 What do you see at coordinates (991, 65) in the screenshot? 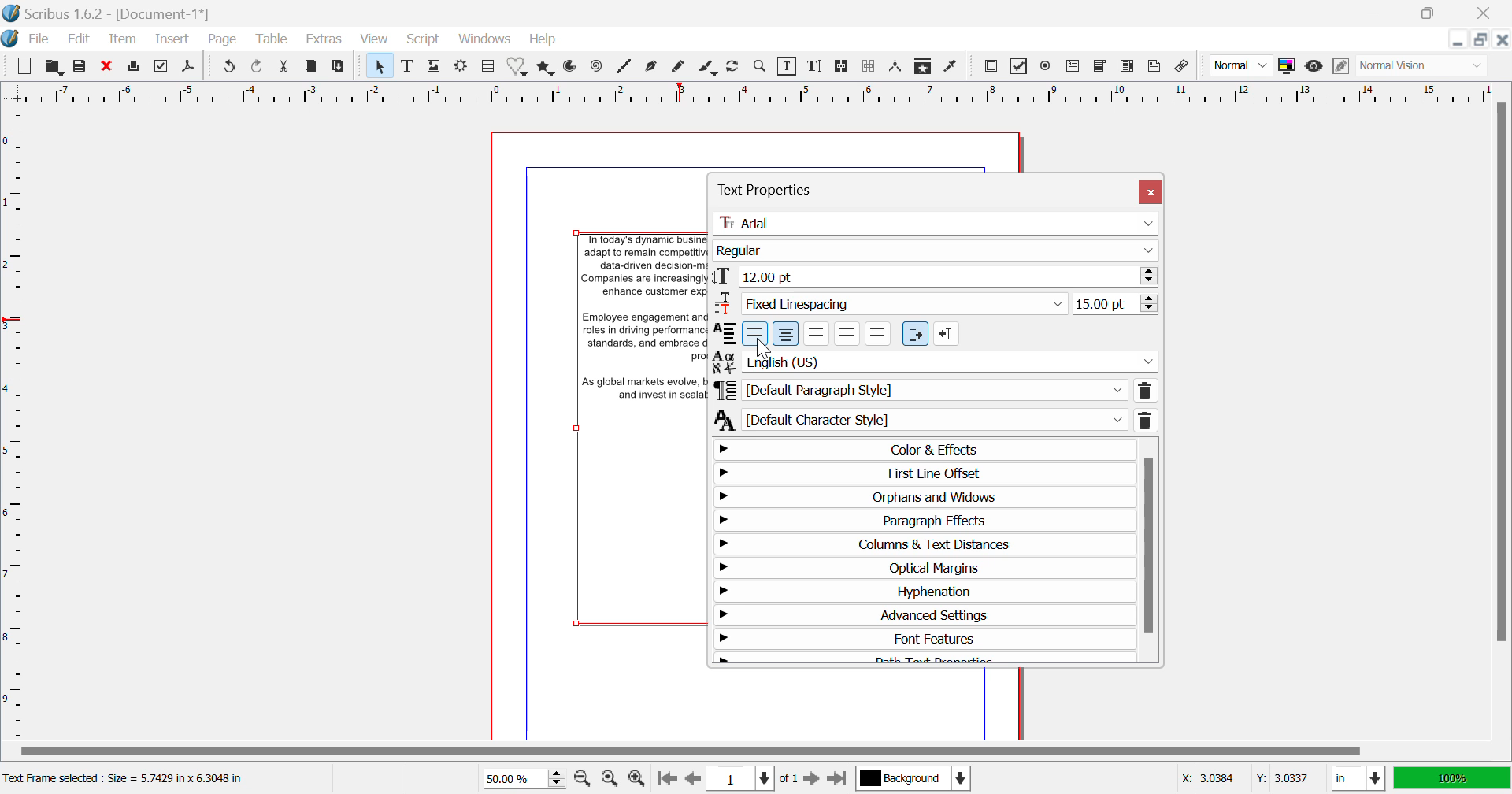
I see `Pdf Push button` at bounding box center [991, 65].